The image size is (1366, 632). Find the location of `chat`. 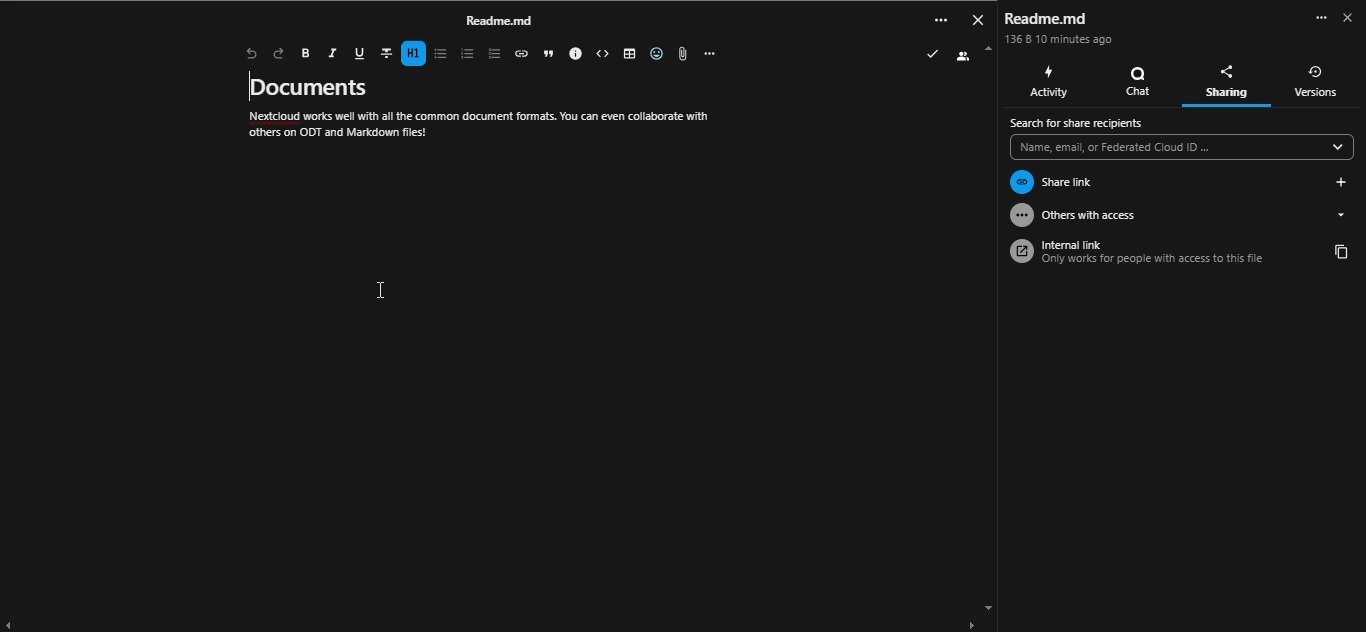

chat is located at coordinates (1134, 79).